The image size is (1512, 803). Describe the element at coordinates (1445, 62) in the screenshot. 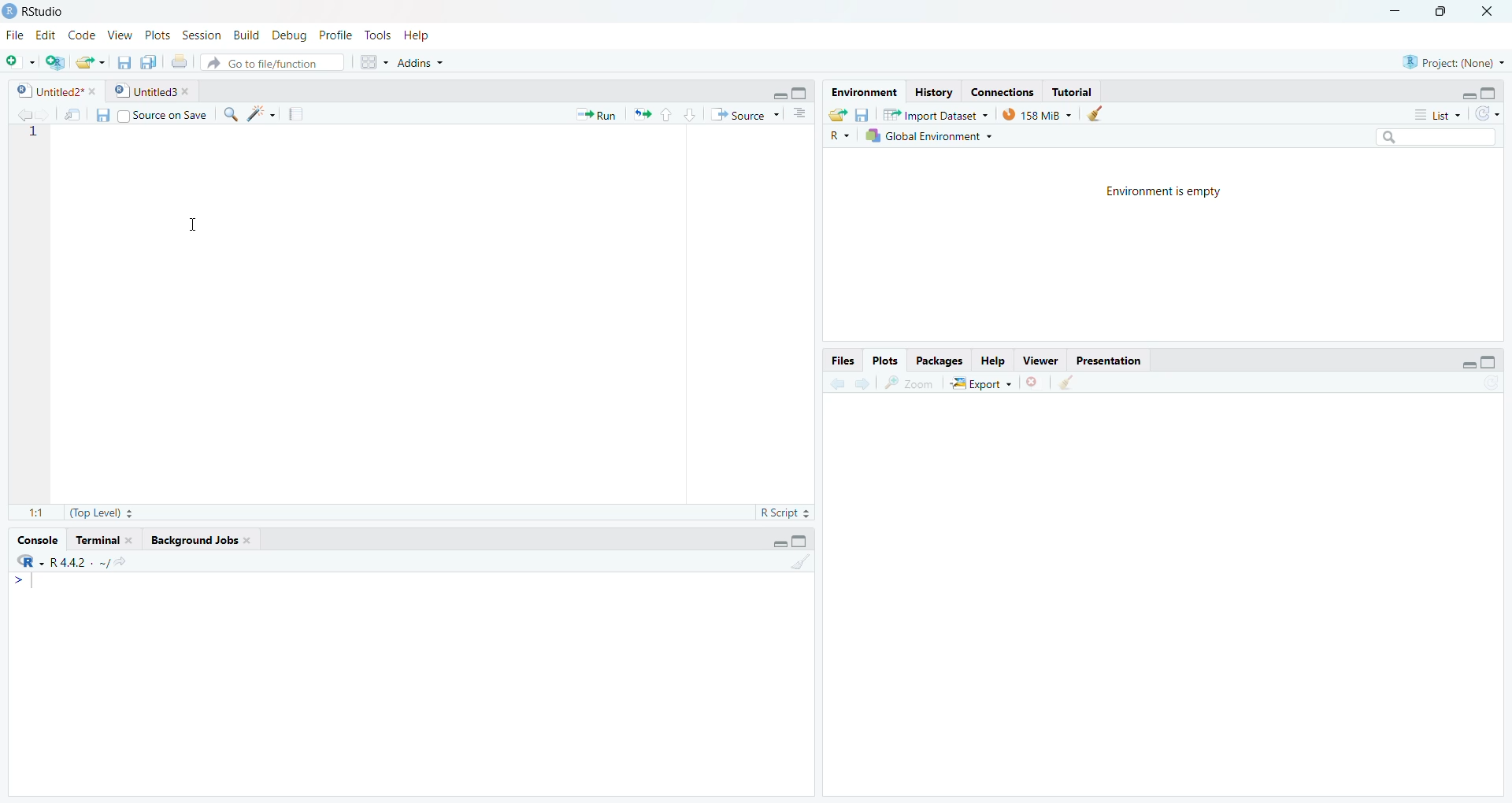

I see `U Project: (None) +` at that location.